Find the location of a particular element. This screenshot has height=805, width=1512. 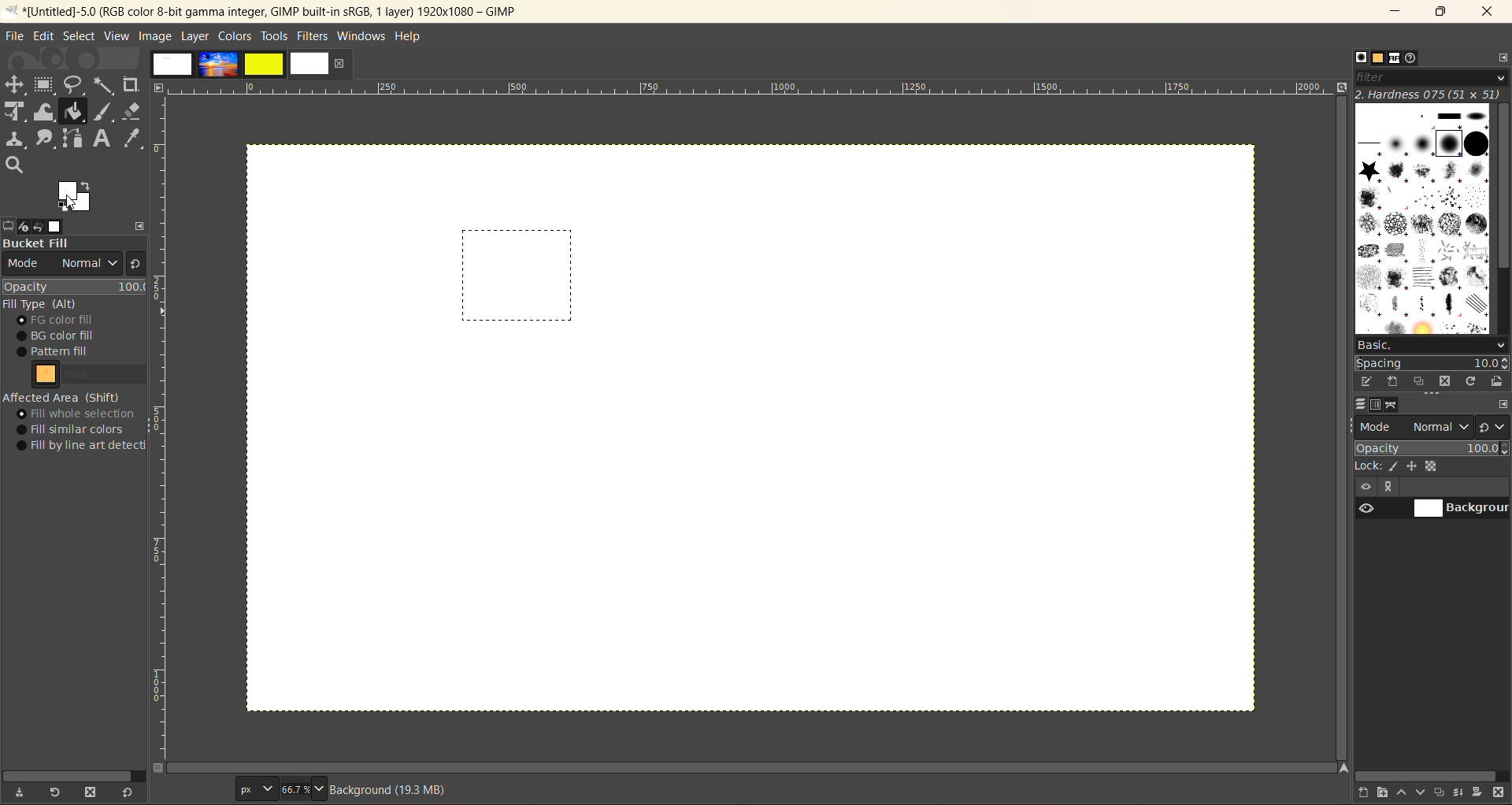

colors is located at coordinates (237, 37).